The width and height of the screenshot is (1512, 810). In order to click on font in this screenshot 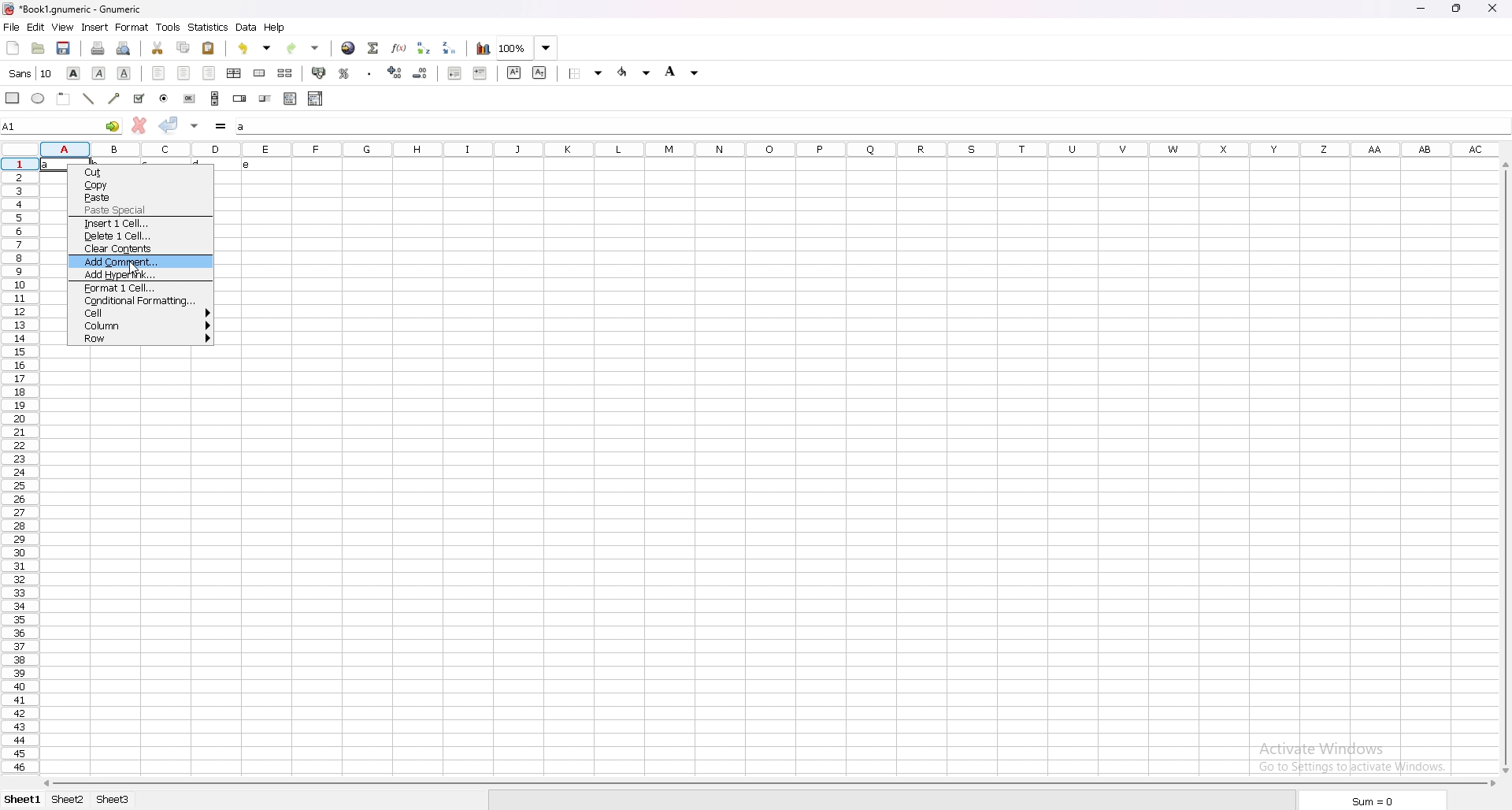, I will do `click(31, 73)`.